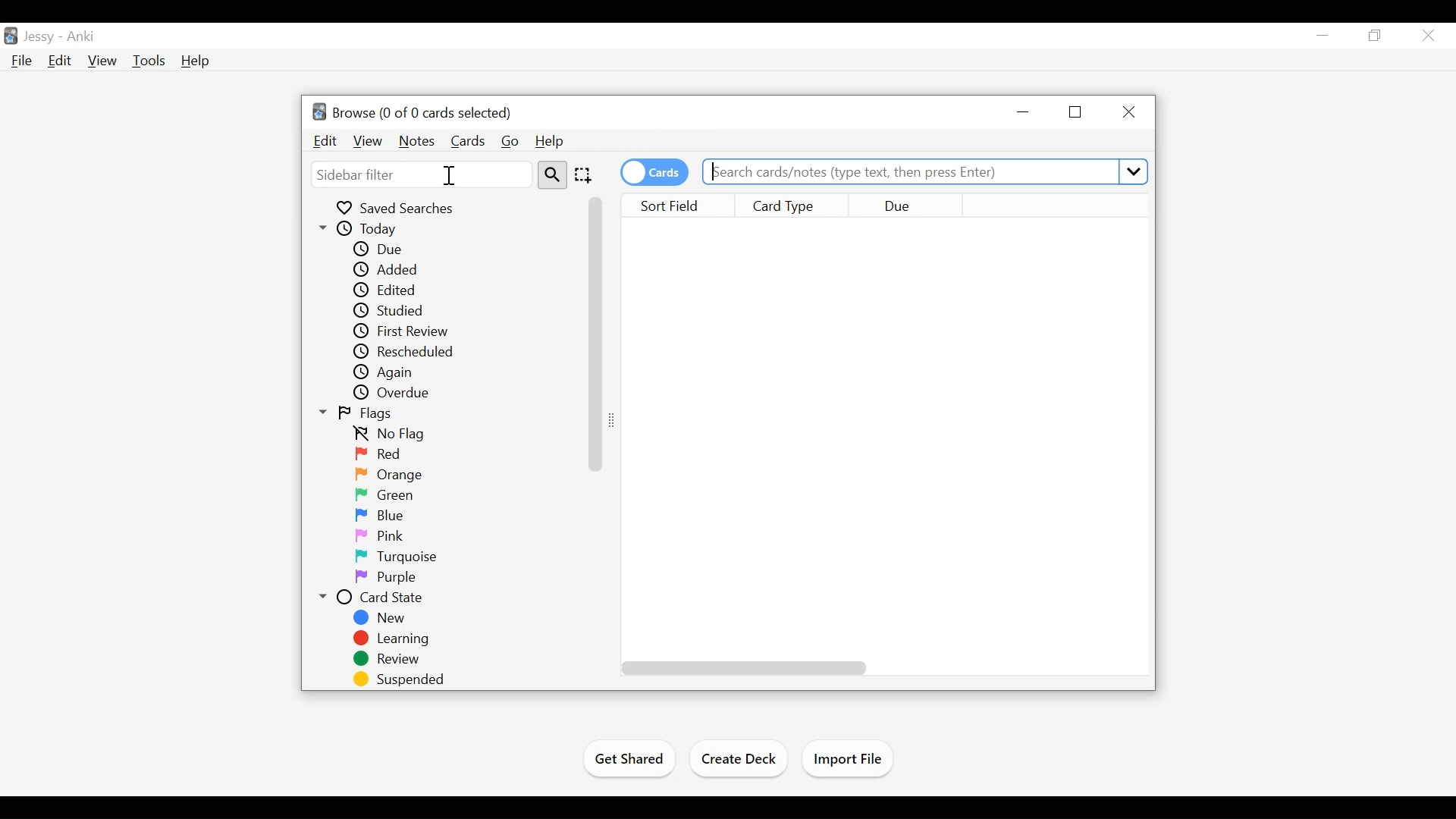 This screenshot has height=819, width=1456. What do you see at coordinates (149, 60) in the screenshot?
I see `Tools` at bounding box center [149, 60].